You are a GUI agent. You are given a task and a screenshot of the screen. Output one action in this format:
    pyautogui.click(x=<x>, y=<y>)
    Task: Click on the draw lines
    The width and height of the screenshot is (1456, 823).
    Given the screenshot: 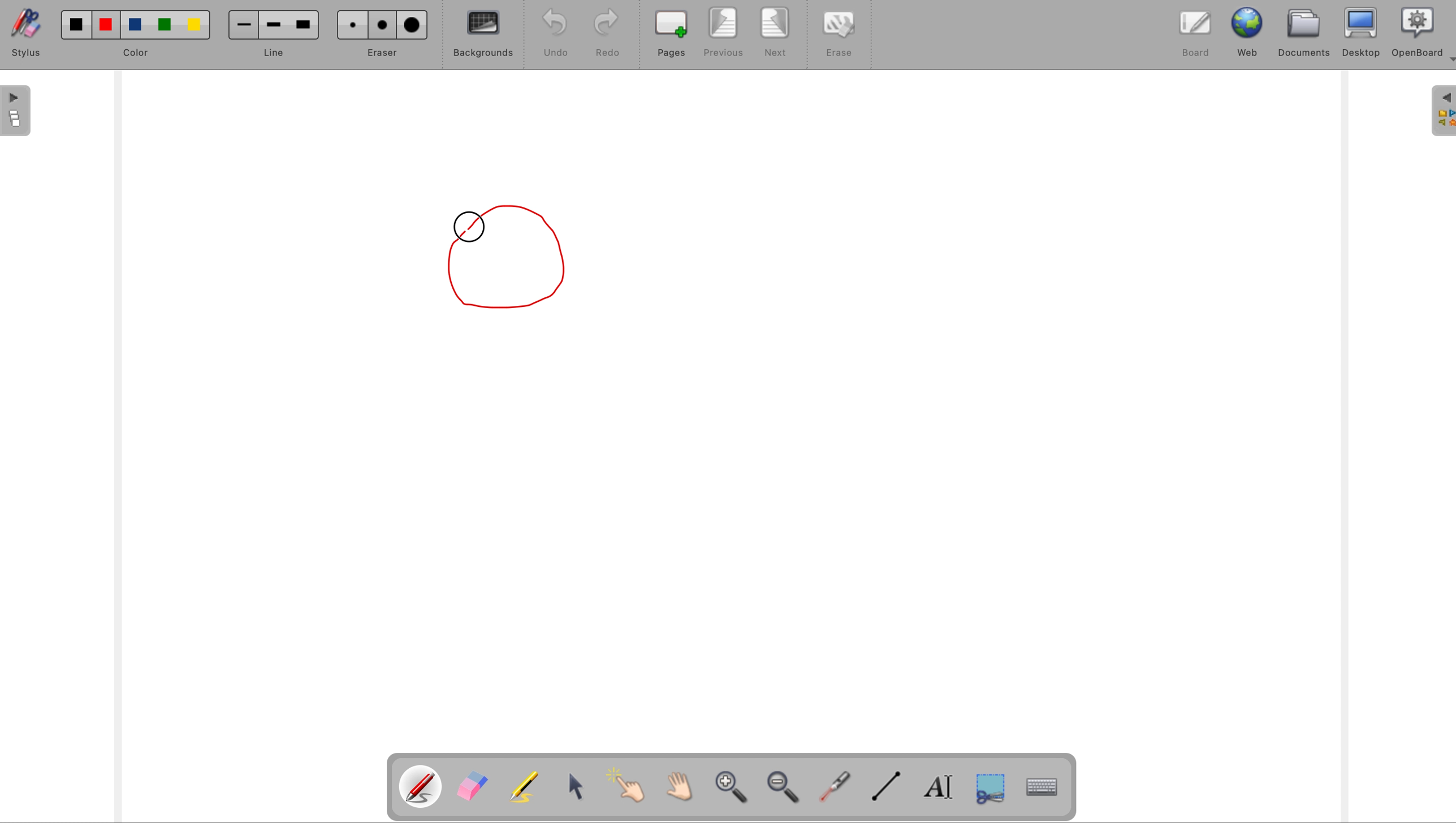 What is the action you would take?
    pyautogui.click(x=889, y=791)
    